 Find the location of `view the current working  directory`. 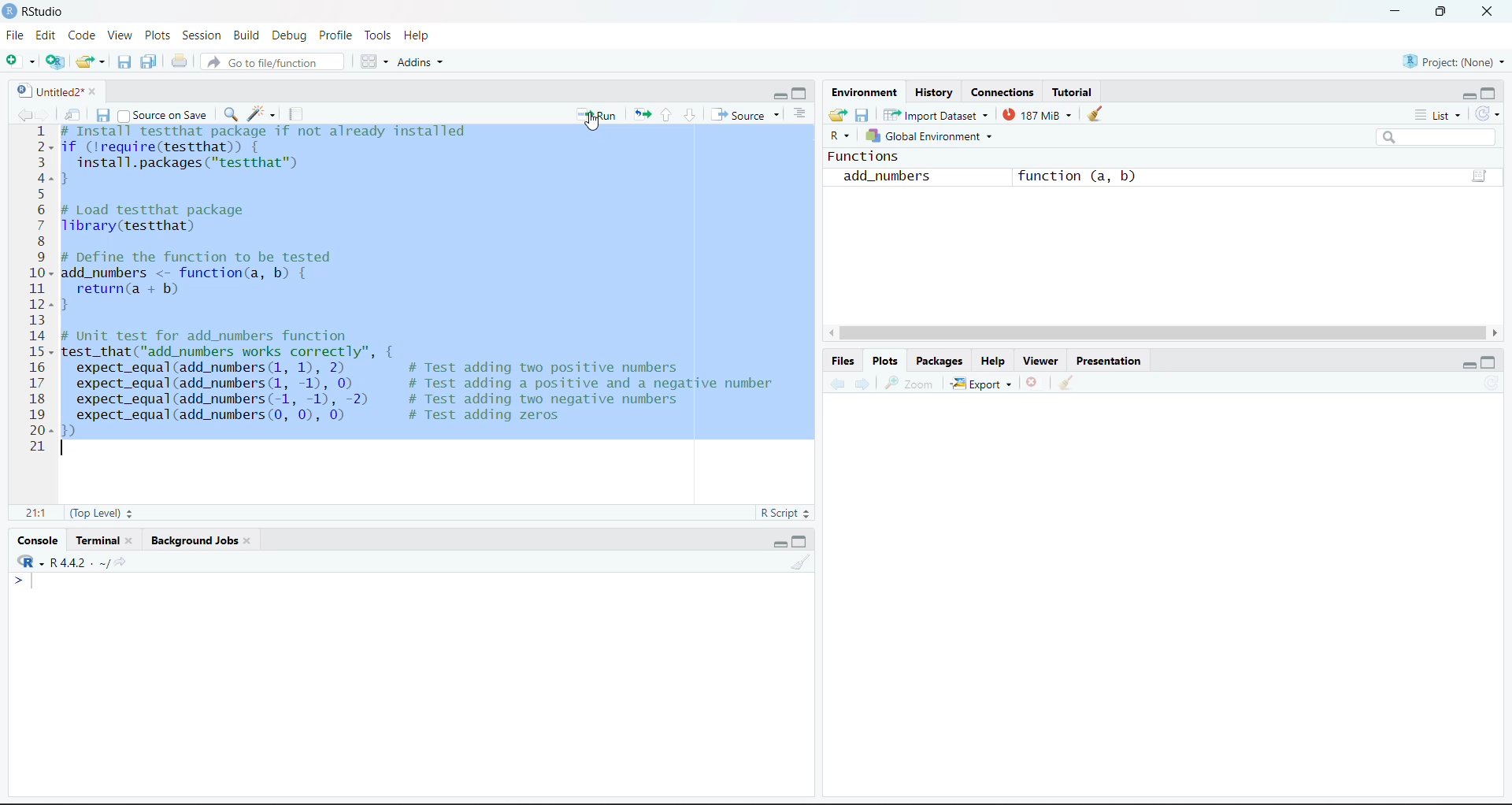

view the current working  directory is located at coordinates (113, 562).